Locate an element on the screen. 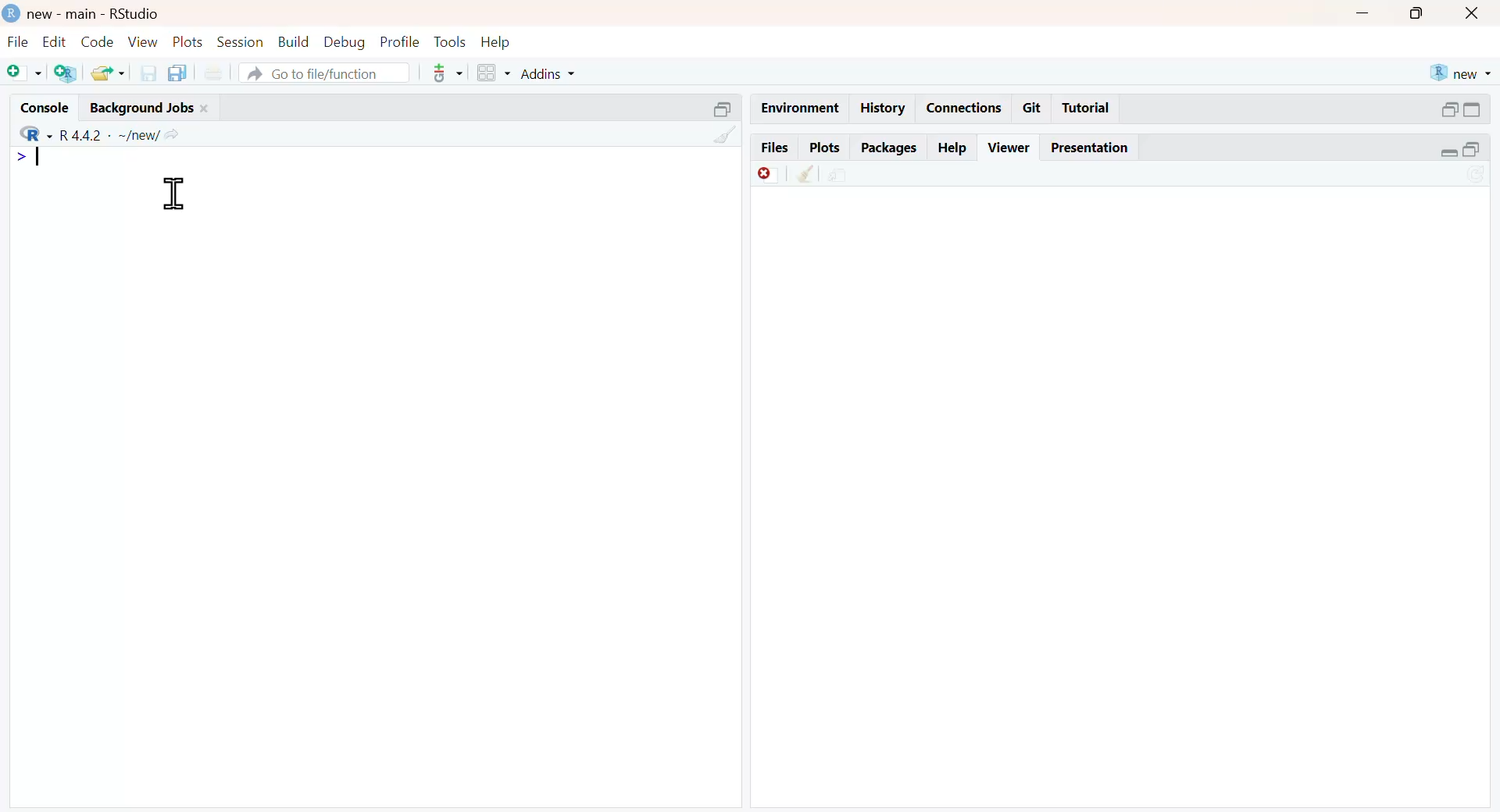 This screenshot has width=1500, height=812. plots is located at coordinates (827, 148).